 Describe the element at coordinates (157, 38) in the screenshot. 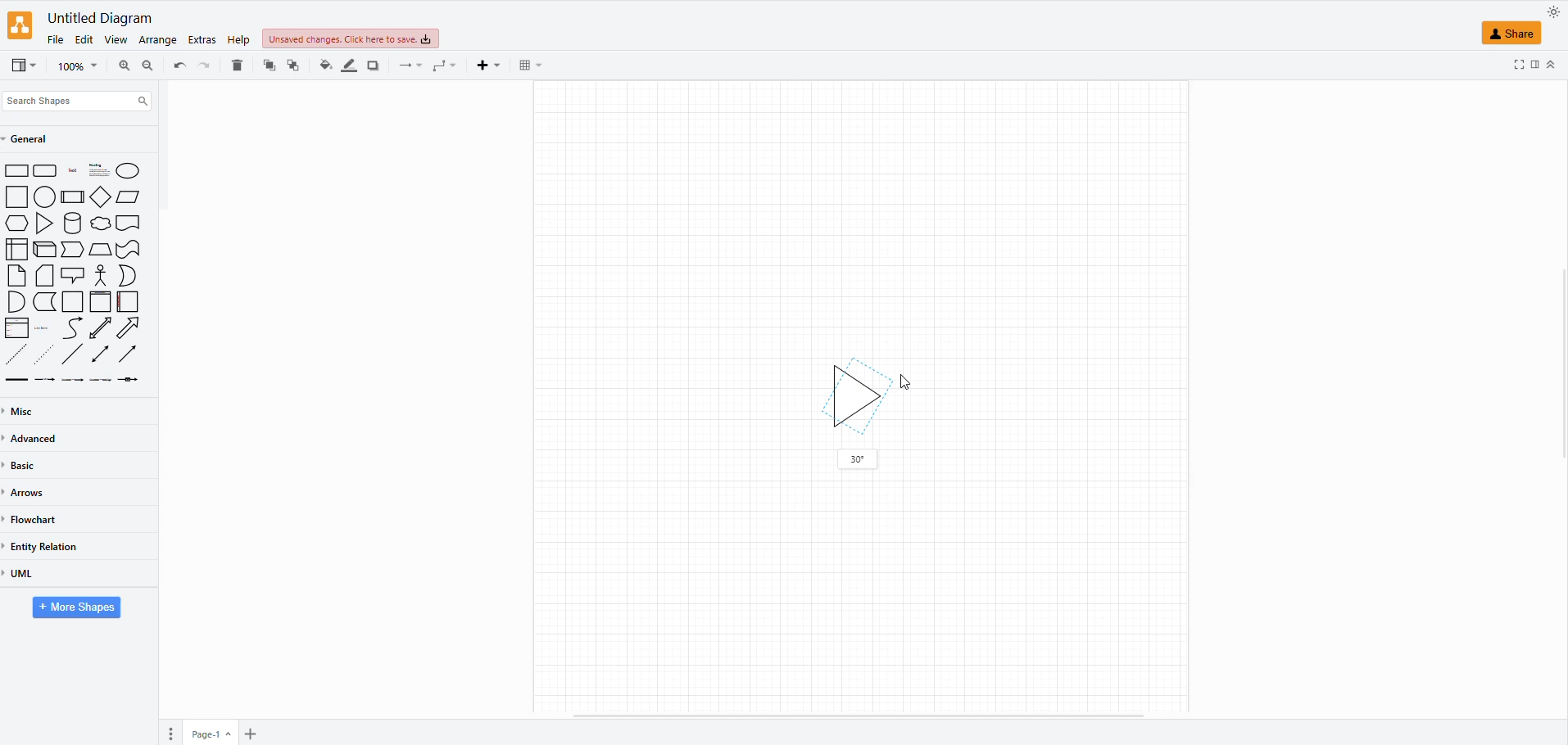

I see `arrange` at that location.